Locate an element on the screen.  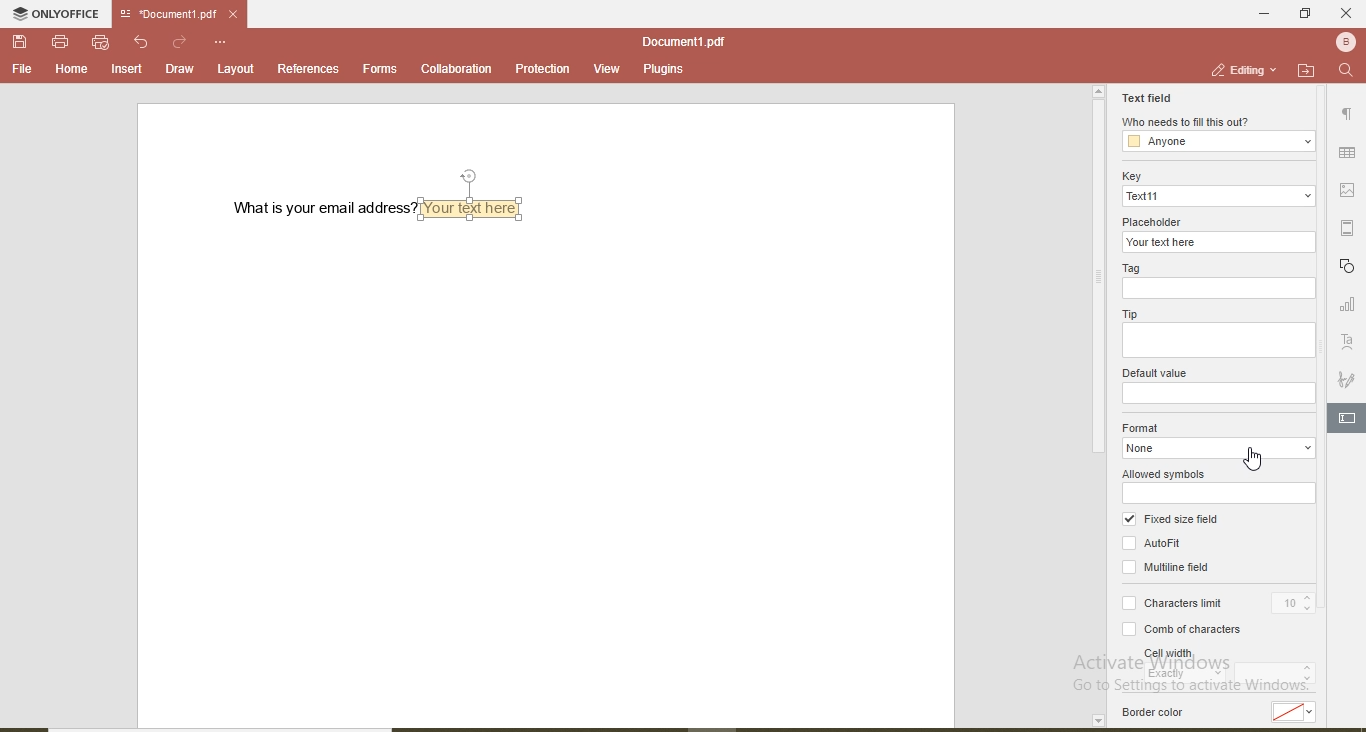
multiline field is located at coordinates (1169, 568).